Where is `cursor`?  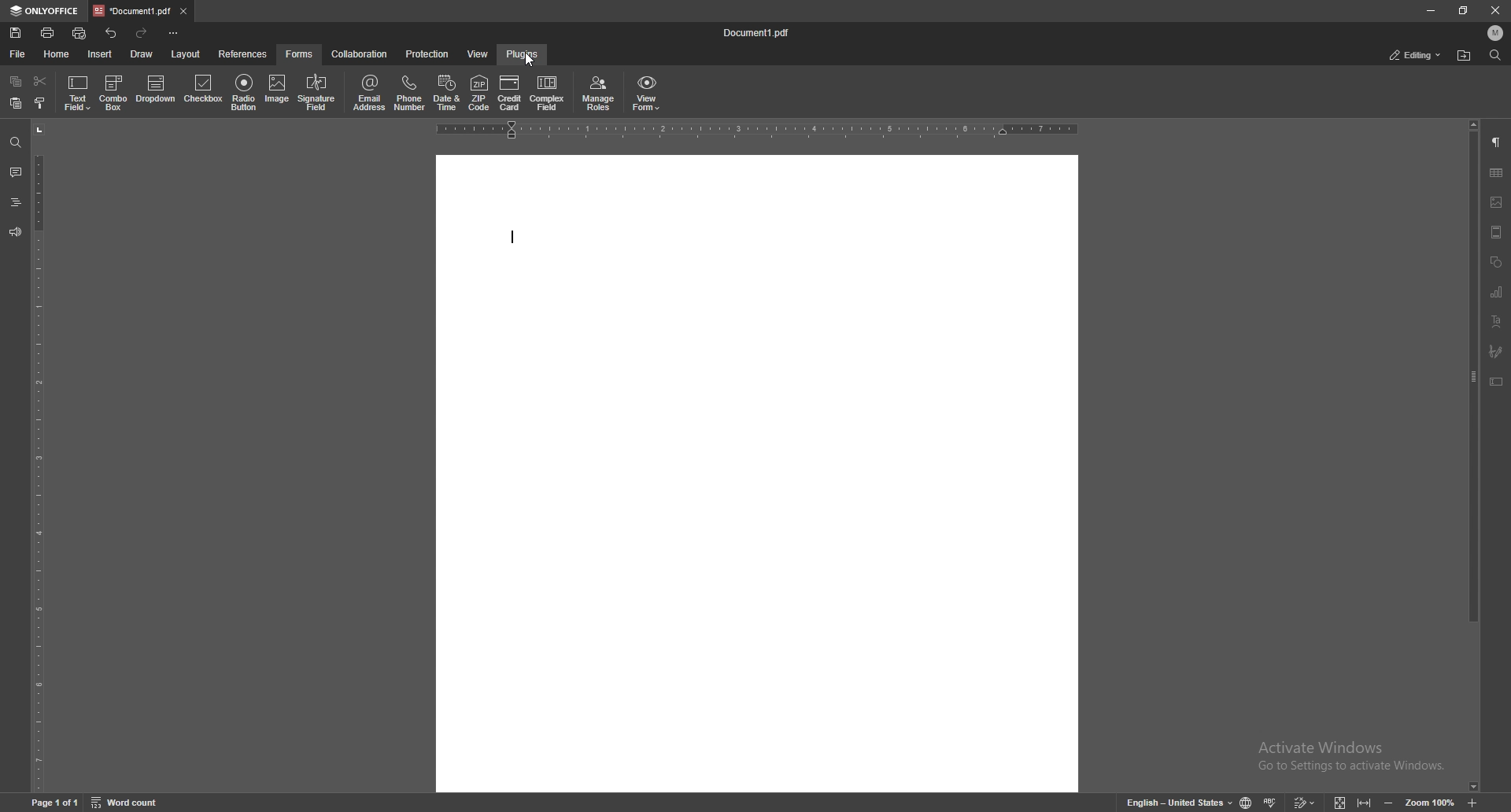
cursor is located at coordinates (535, 63).